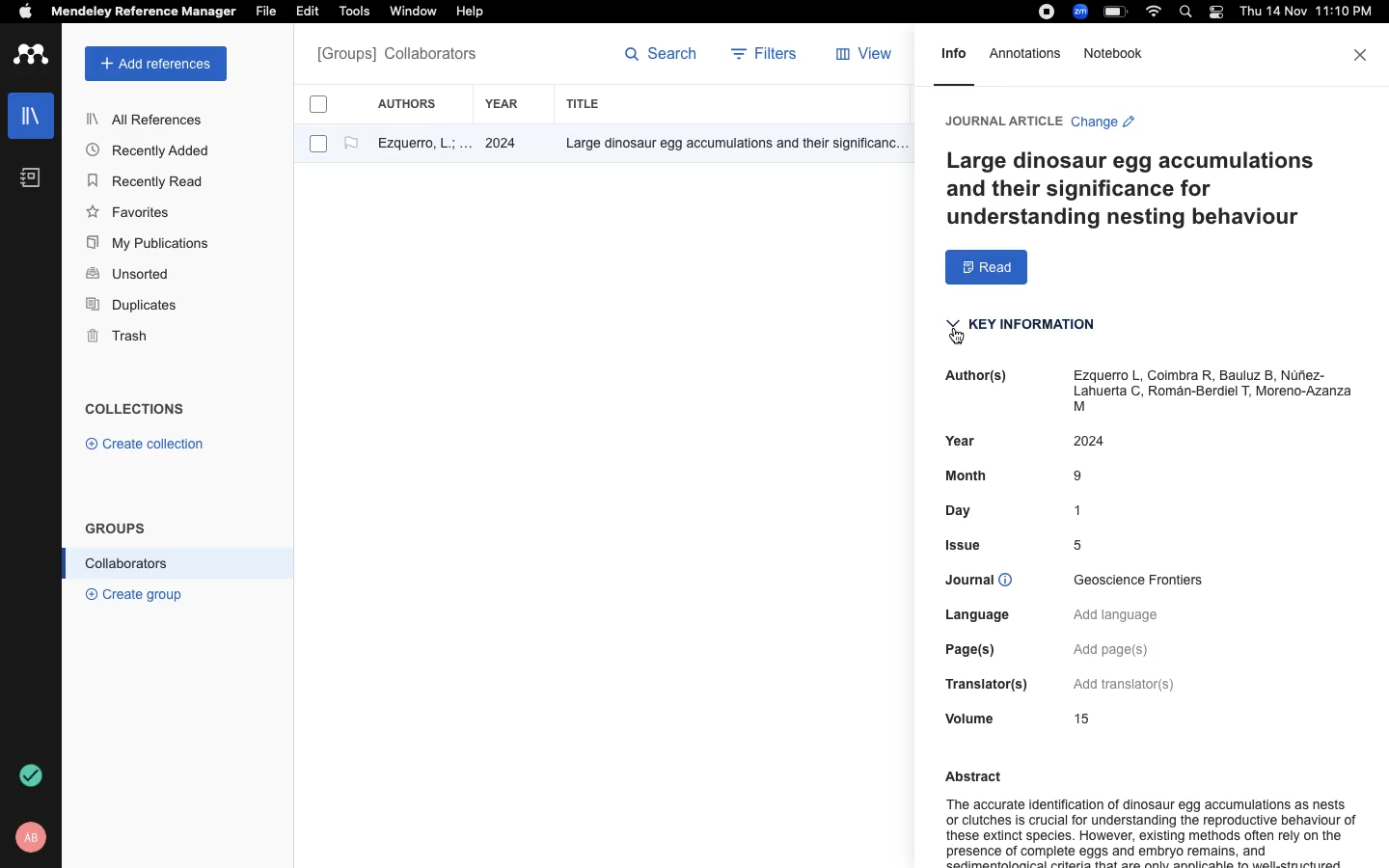 Image resolution: width=1389 pixels, height=868 pixels. I want to click on Duplicates, so click(133, 306).